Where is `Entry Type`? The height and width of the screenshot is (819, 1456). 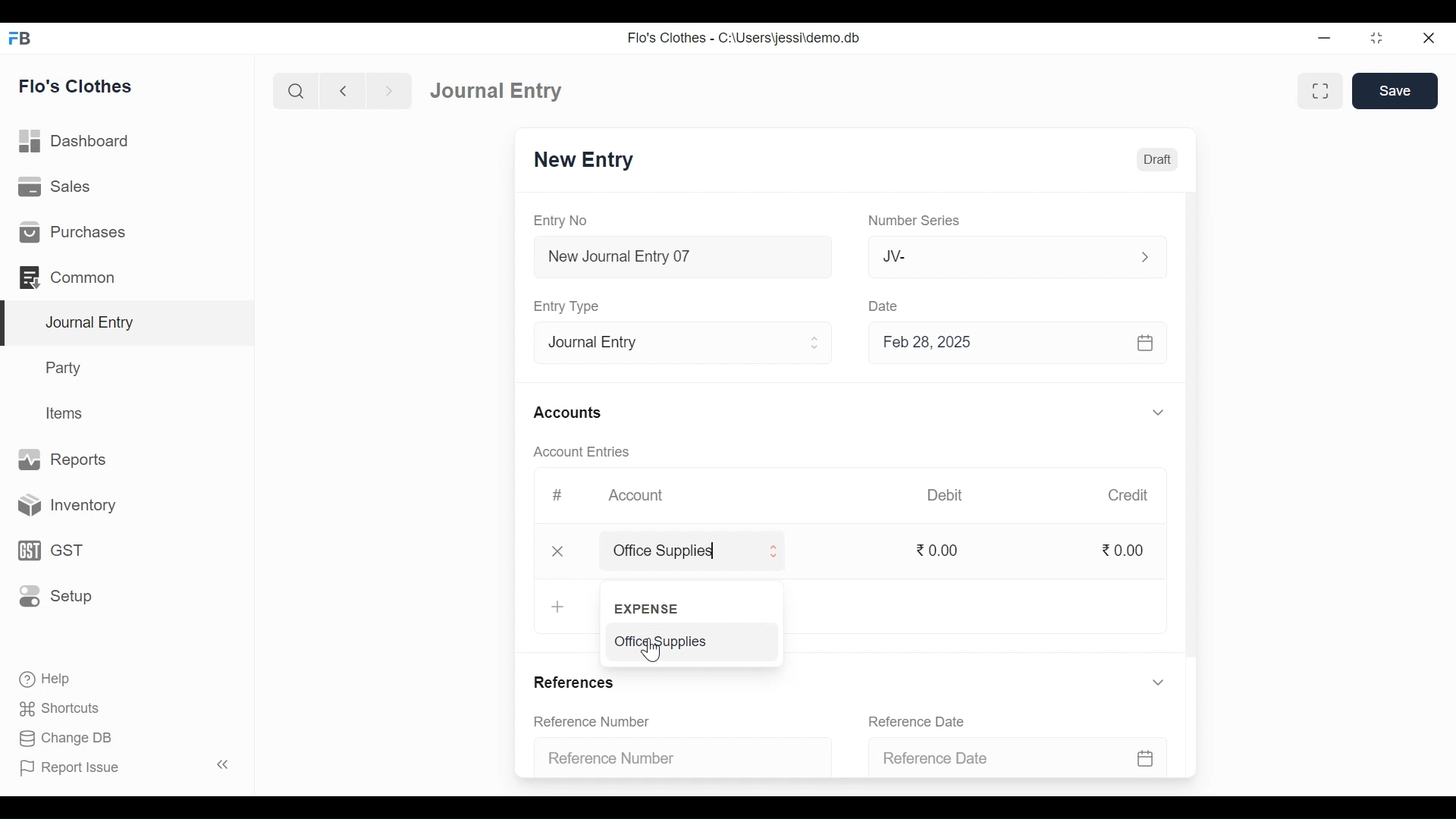 Entry Type is located at coordinates (570, 306).